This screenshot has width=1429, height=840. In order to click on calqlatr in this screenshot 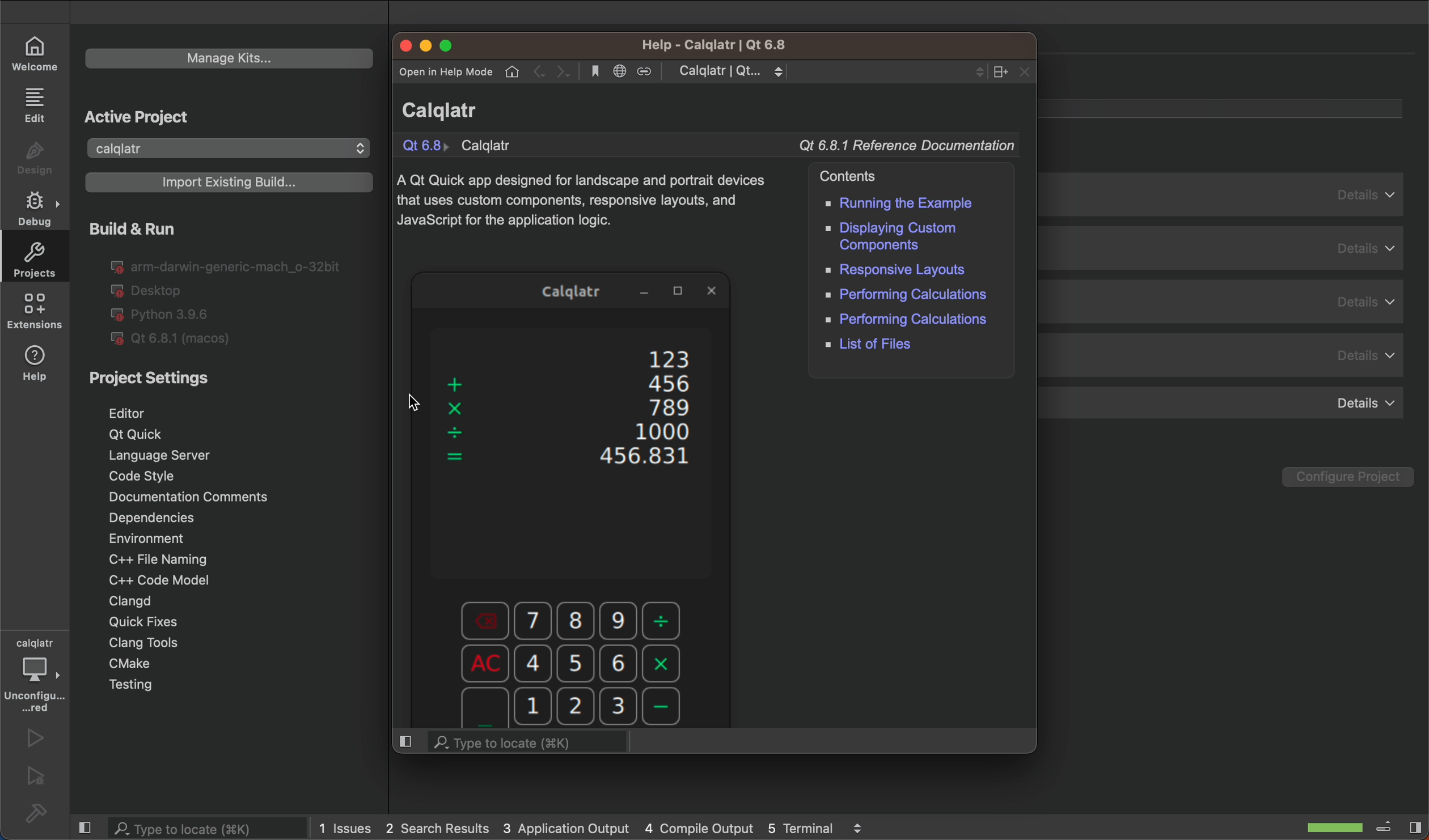, I will do `click(228, 149)`.